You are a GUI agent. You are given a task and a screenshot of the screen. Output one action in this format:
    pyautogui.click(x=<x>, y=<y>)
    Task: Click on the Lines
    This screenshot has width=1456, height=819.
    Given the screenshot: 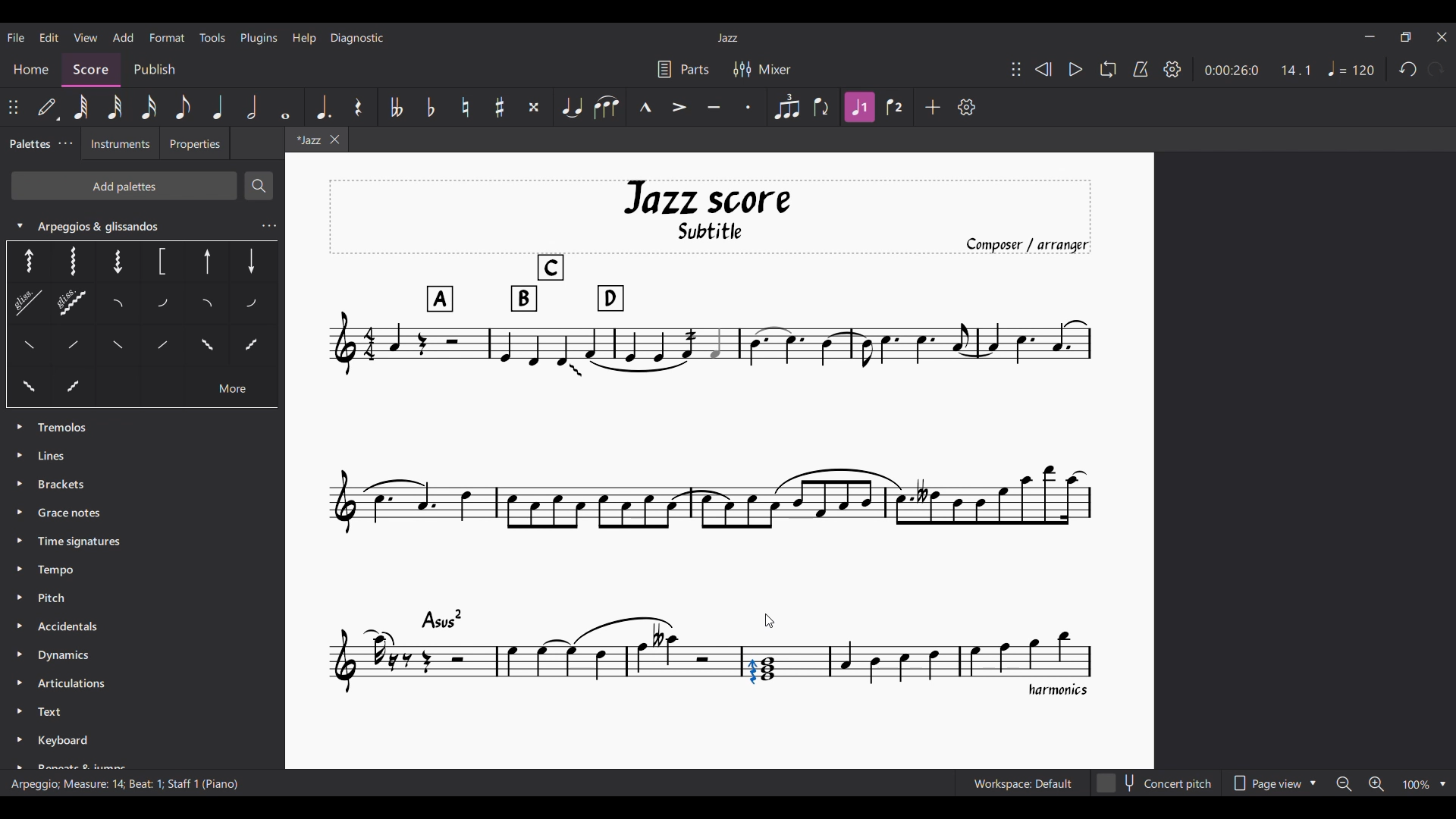 What is the action you would take?
    pyautogui.click(x=58, y=454)
    